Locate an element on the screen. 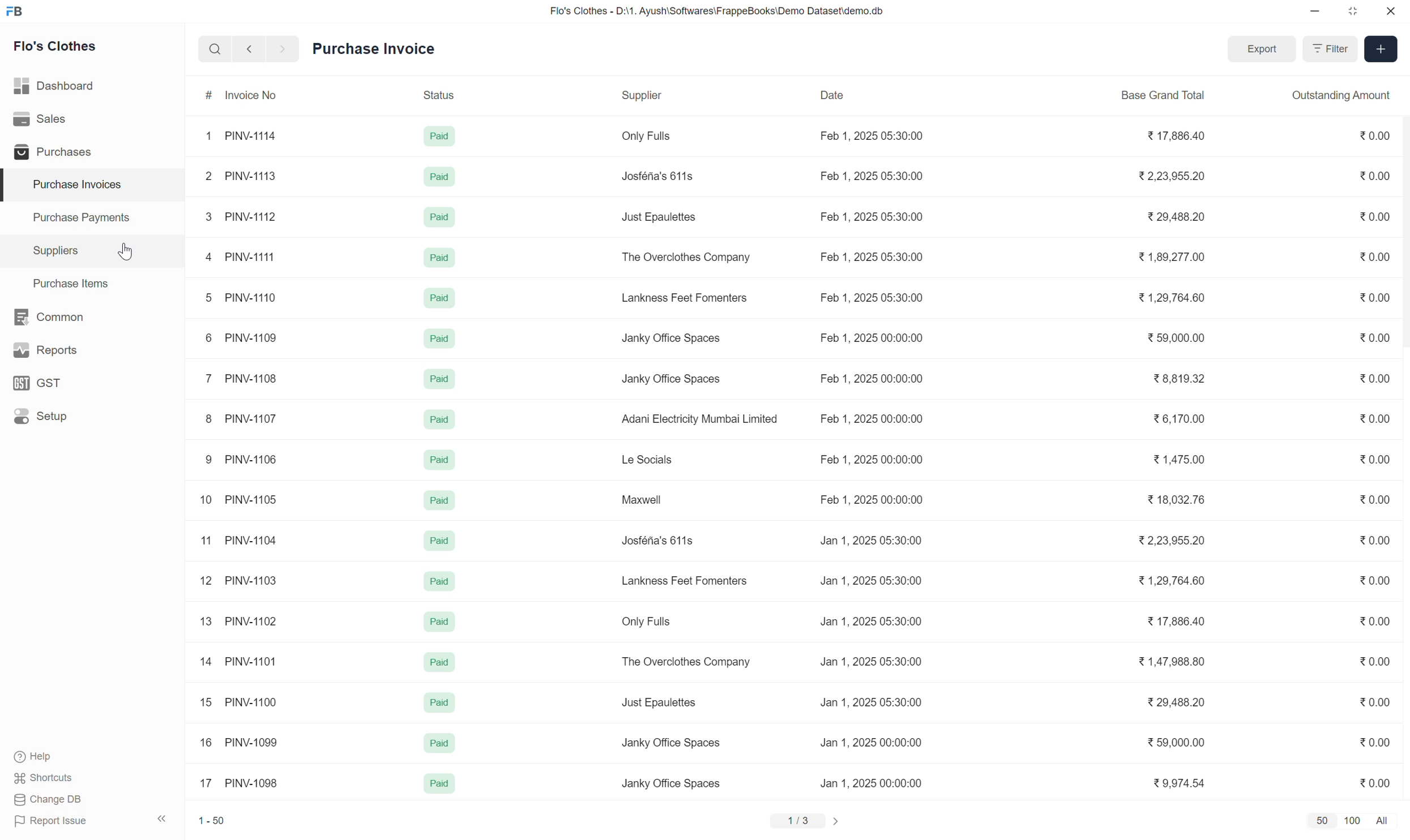 This screenshot has width=1410, height=840. Status is located at coordinates (450, 96).